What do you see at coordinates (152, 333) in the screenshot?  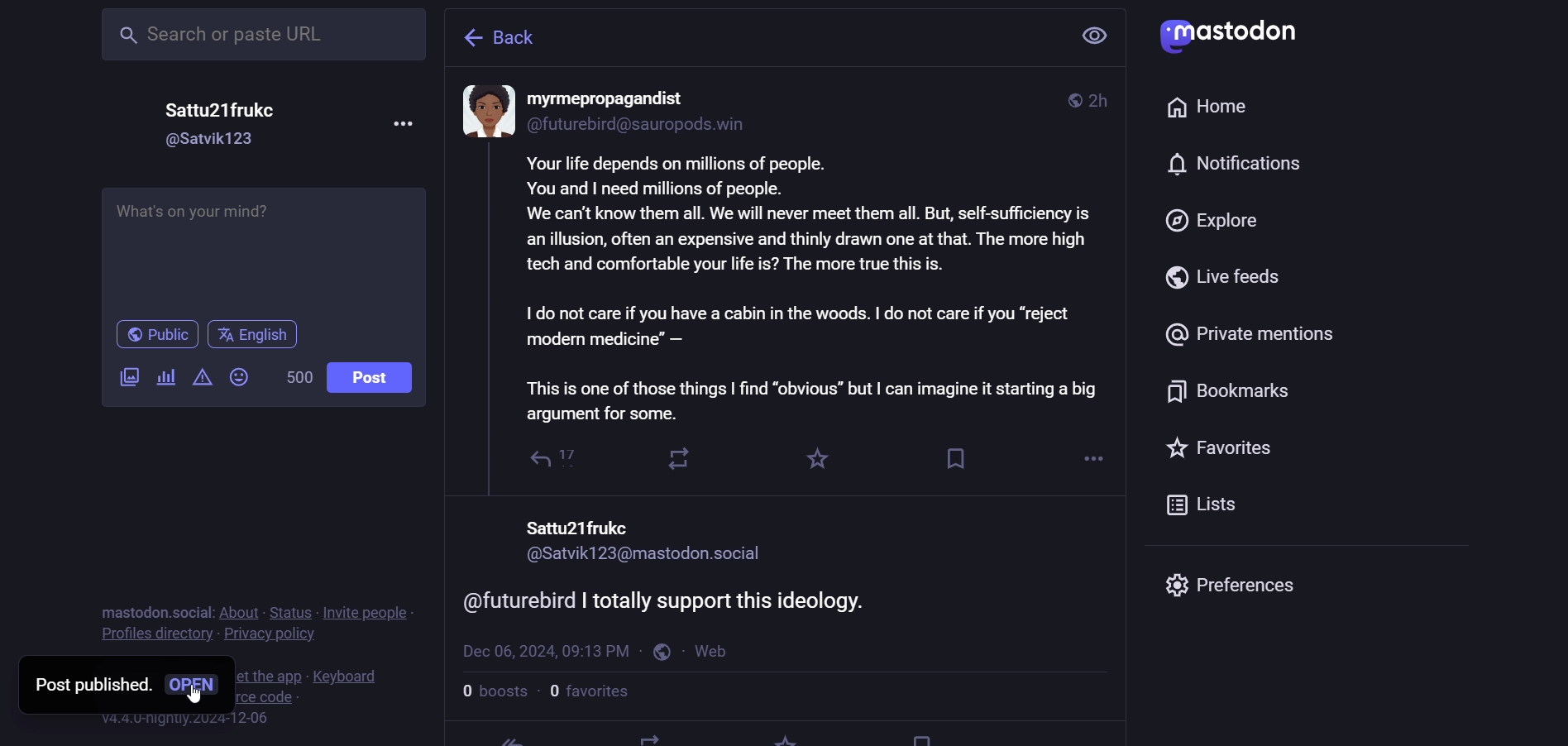 I see `public` at bounding box center [152, 333].